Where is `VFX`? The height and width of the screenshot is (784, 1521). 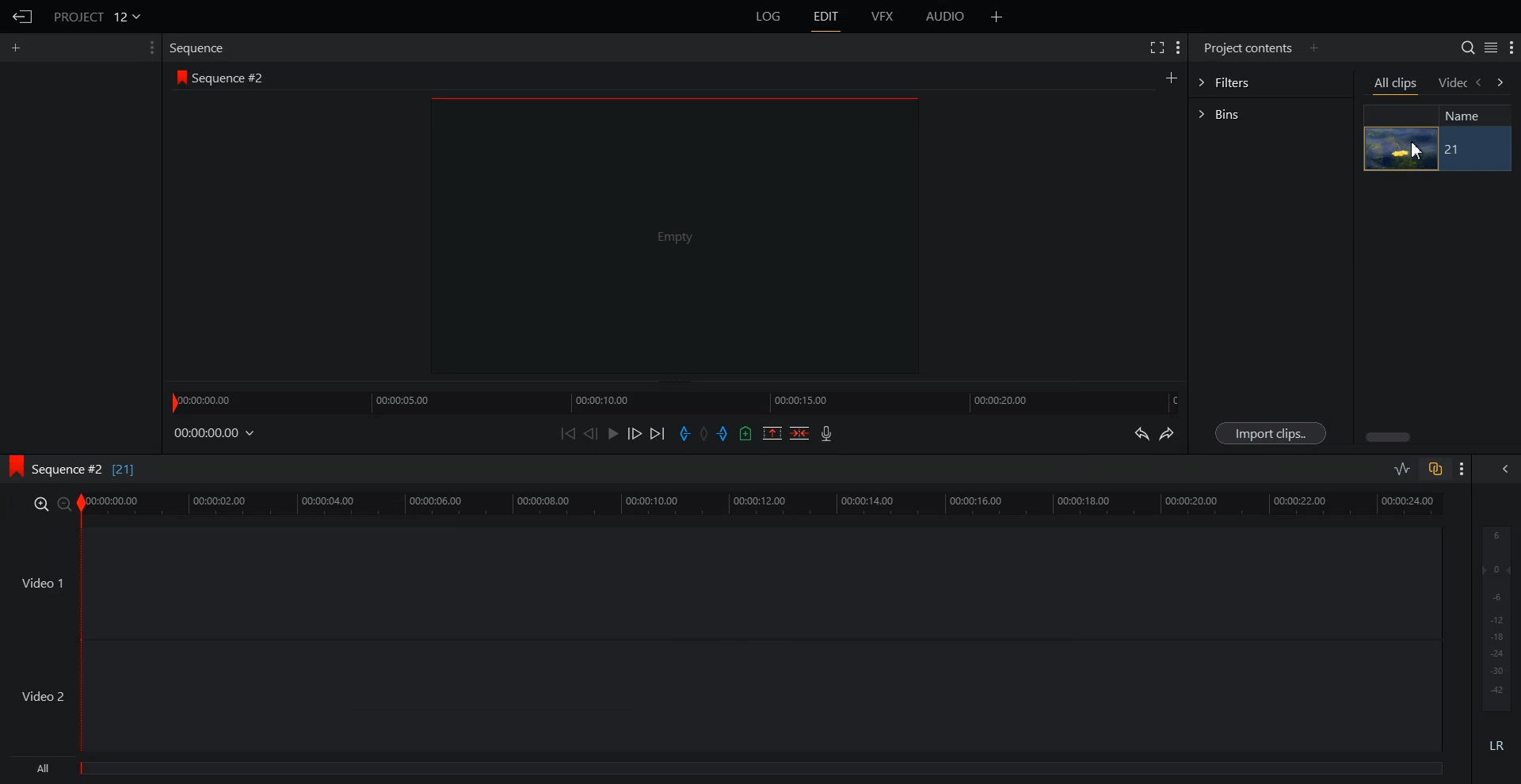
VFX is located at coordinates (883, 17).